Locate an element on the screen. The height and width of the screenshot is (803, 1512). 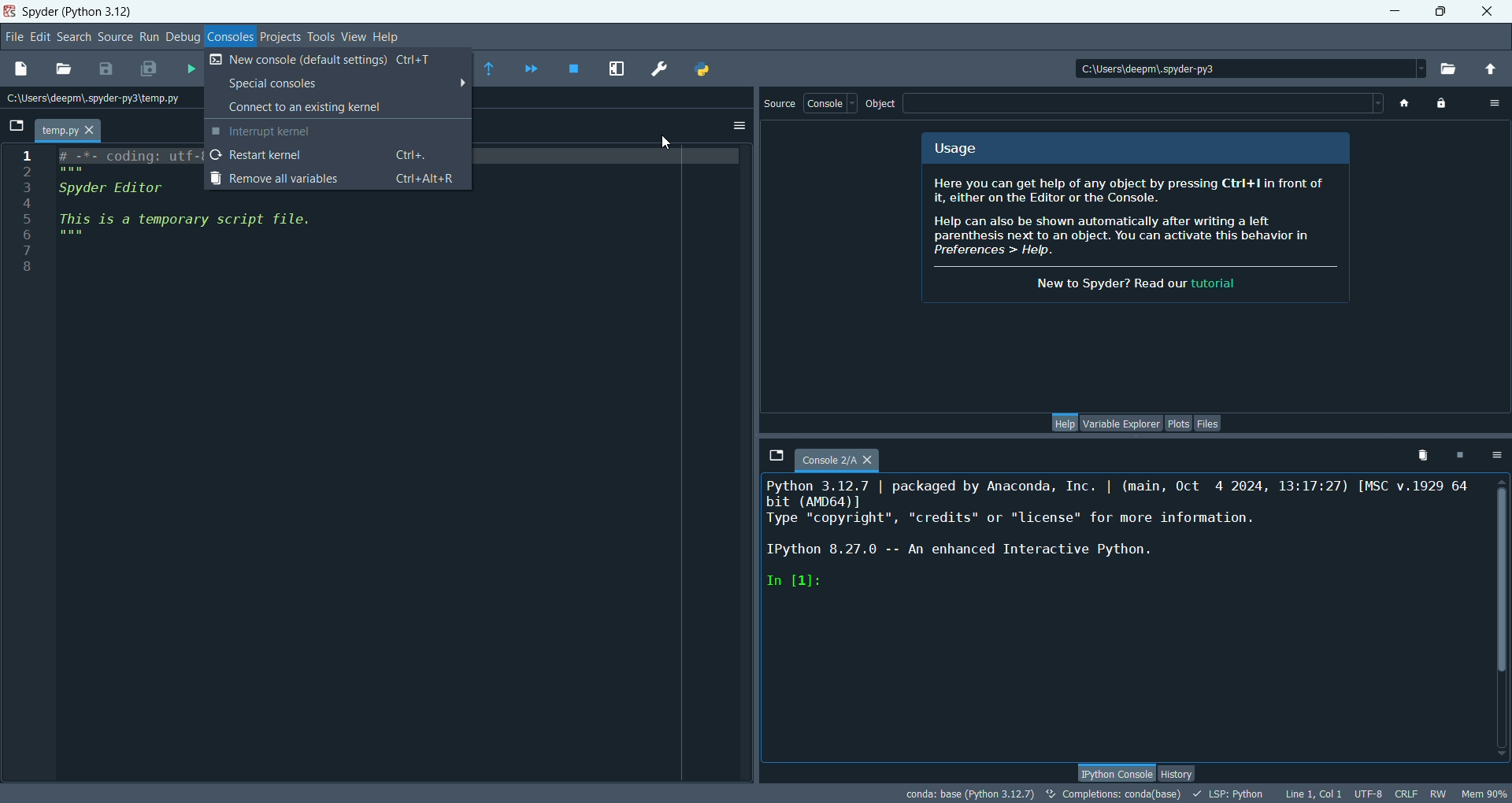
run is located at coordinates (149, 38).